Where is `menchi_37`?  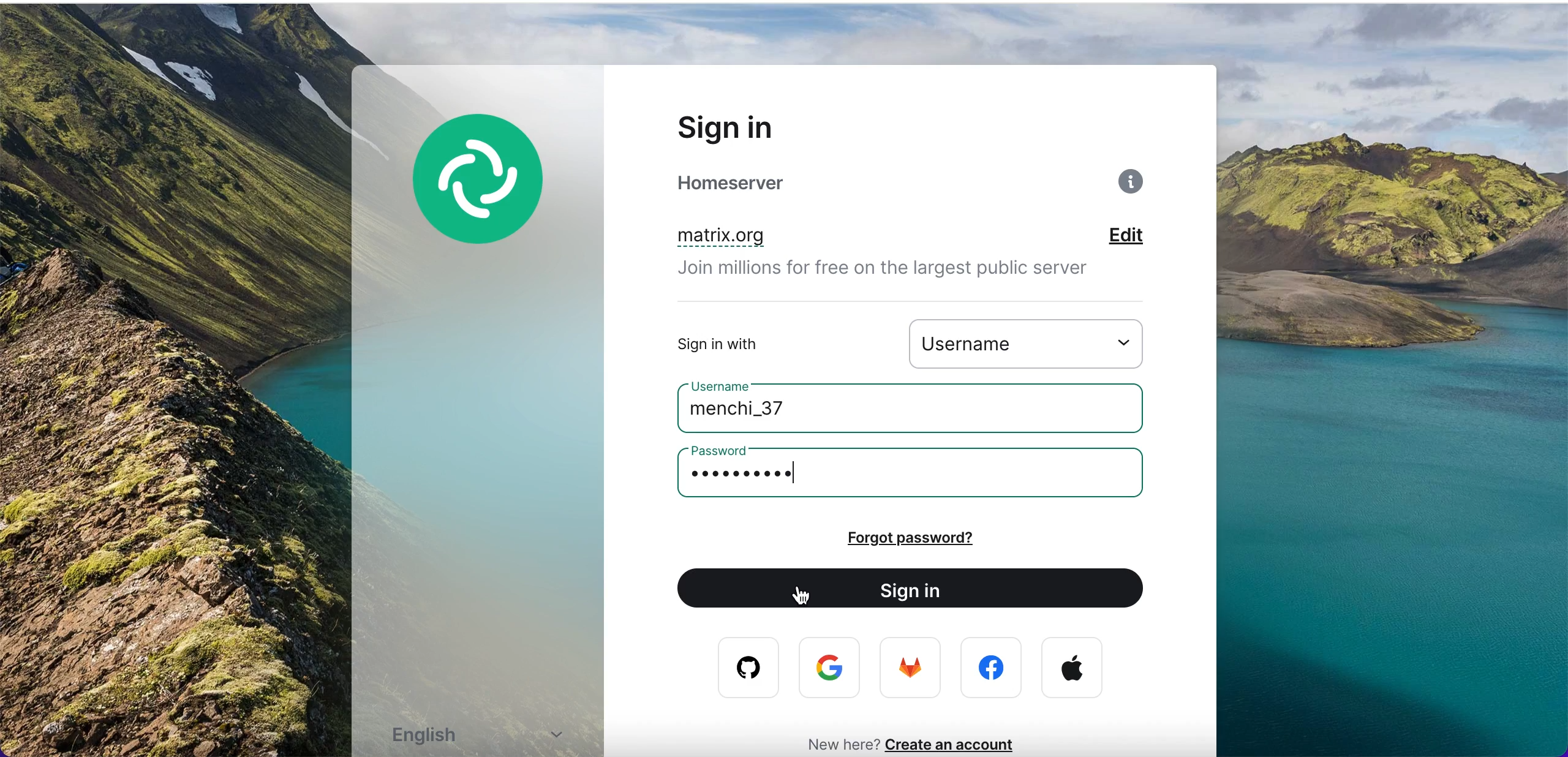
menchi_37 is located at coordinates (766, 412).